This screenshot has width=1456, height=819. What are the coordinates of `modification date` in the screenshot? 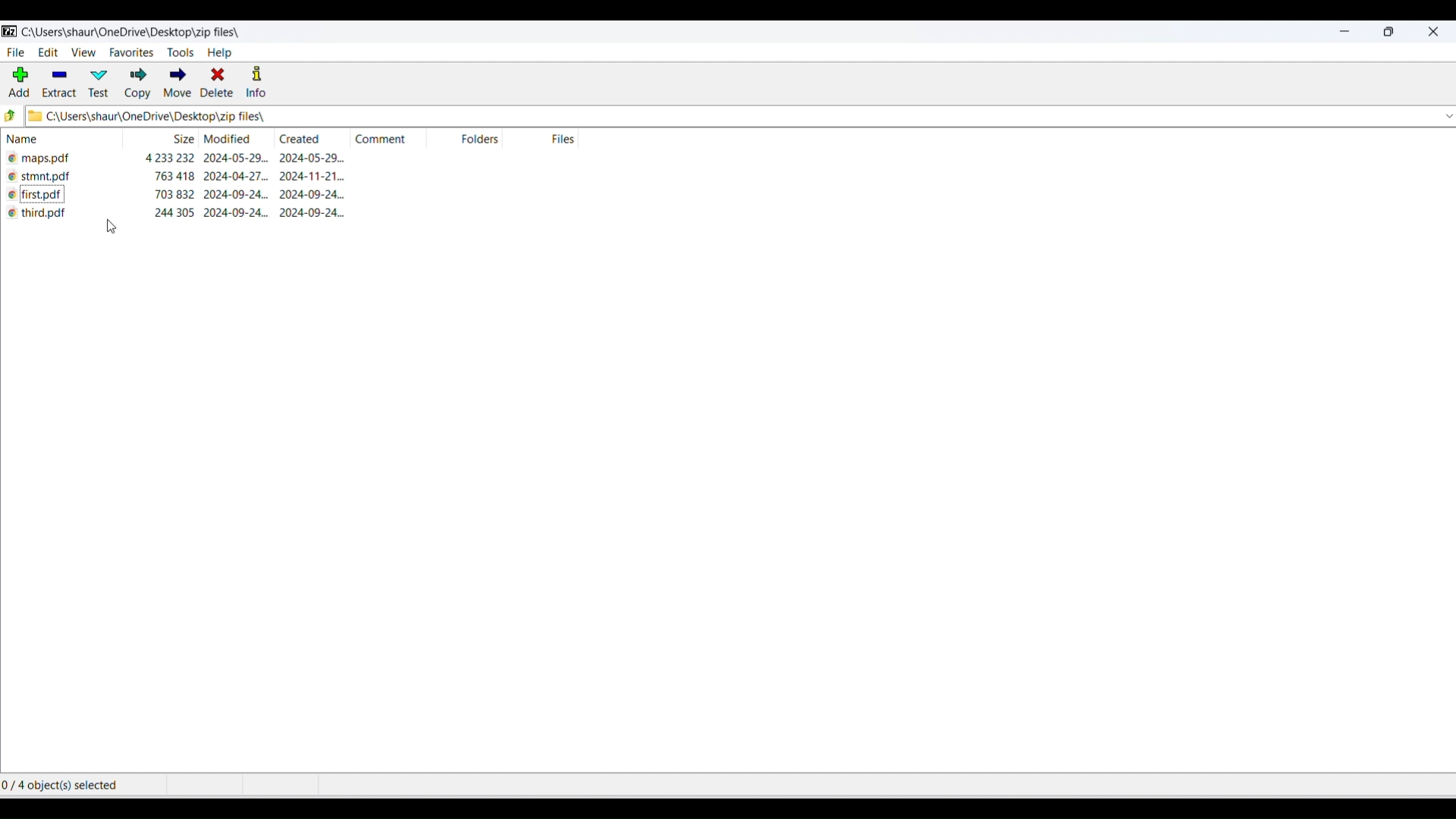 It's located at (234, 140).